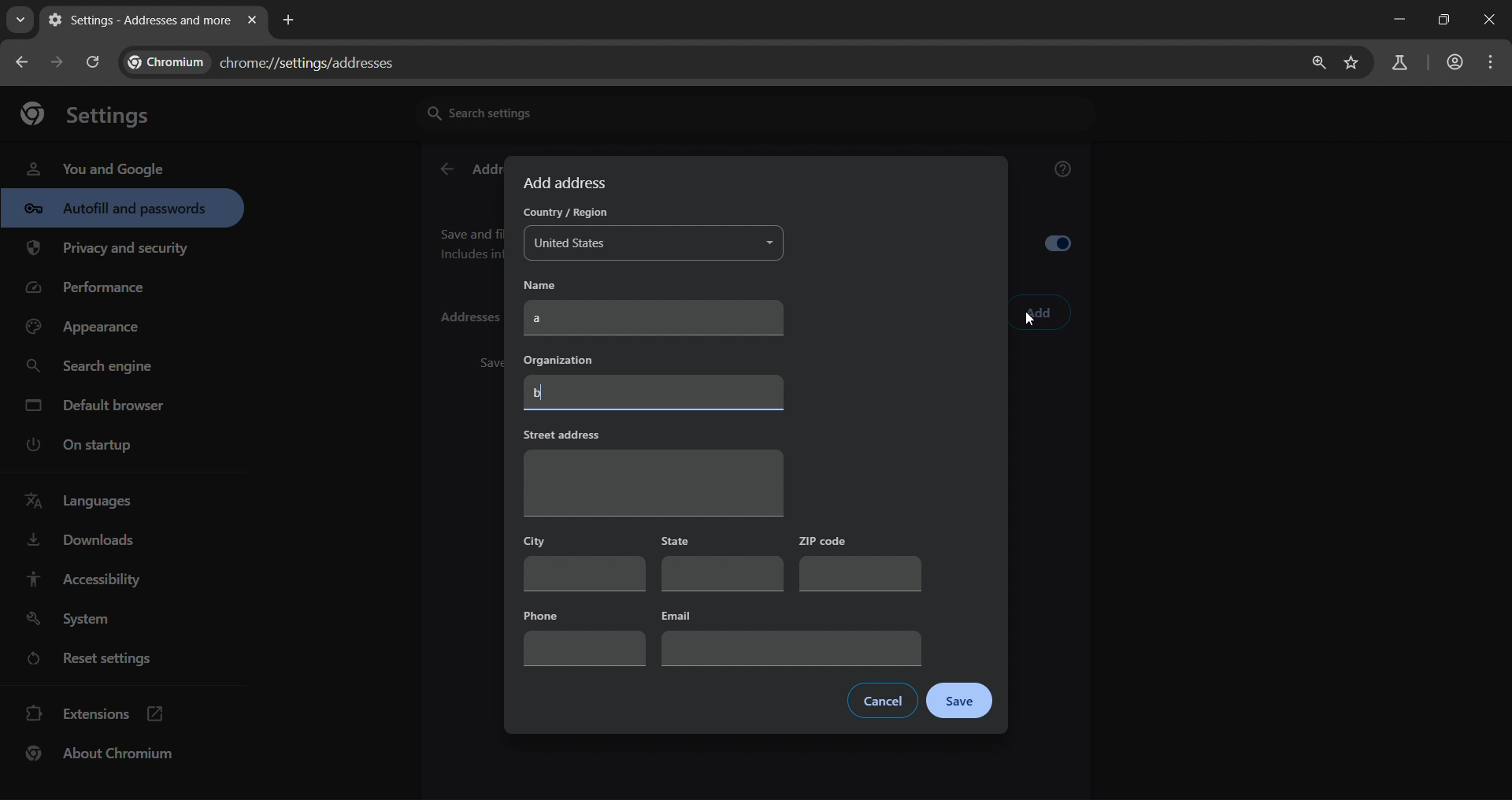  I want to click on system, so click(72, 620).